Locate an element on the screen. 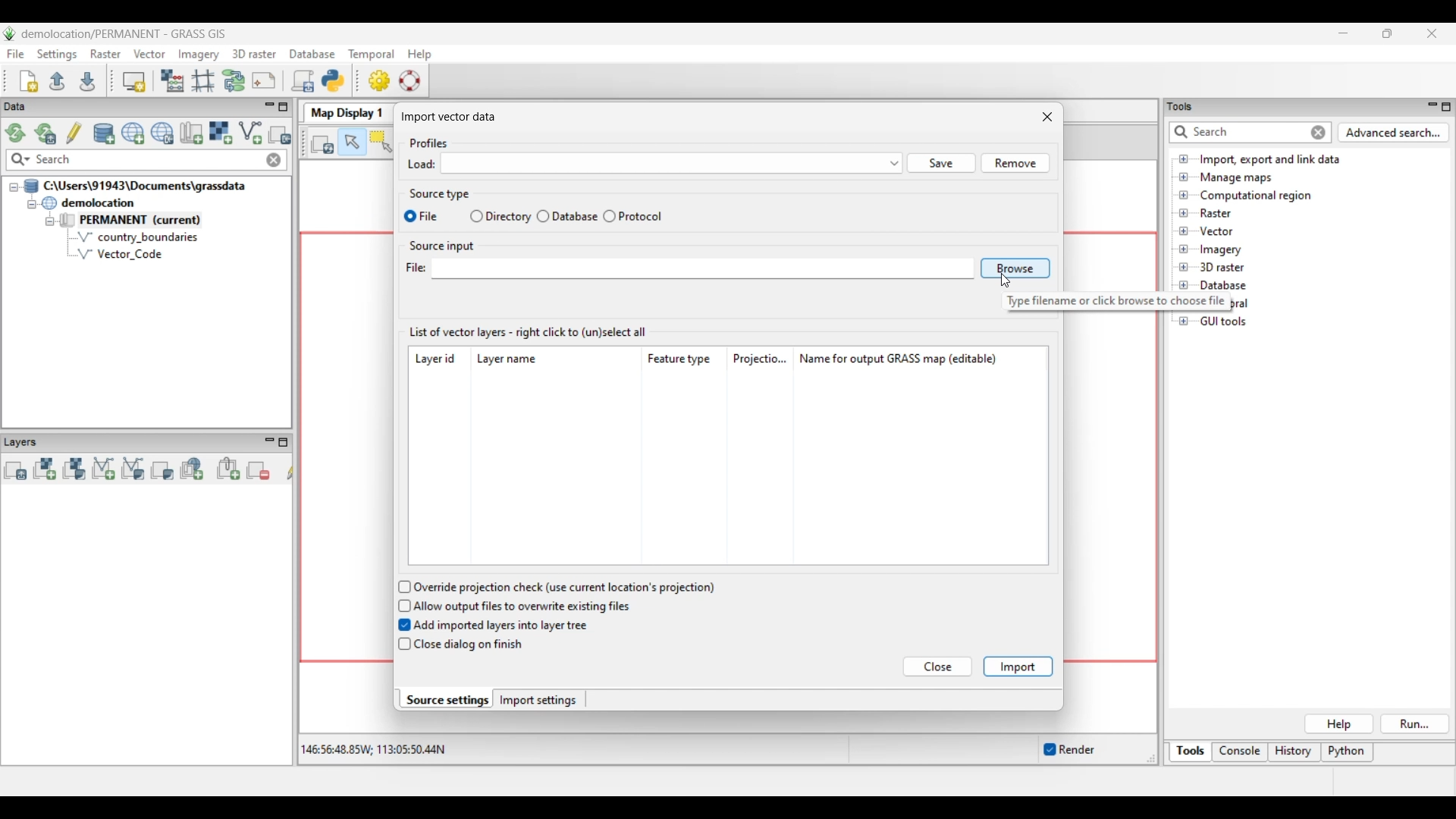 This screenshot has height=819, width=1456. country_boundaries is located at coordinates (138, 237).